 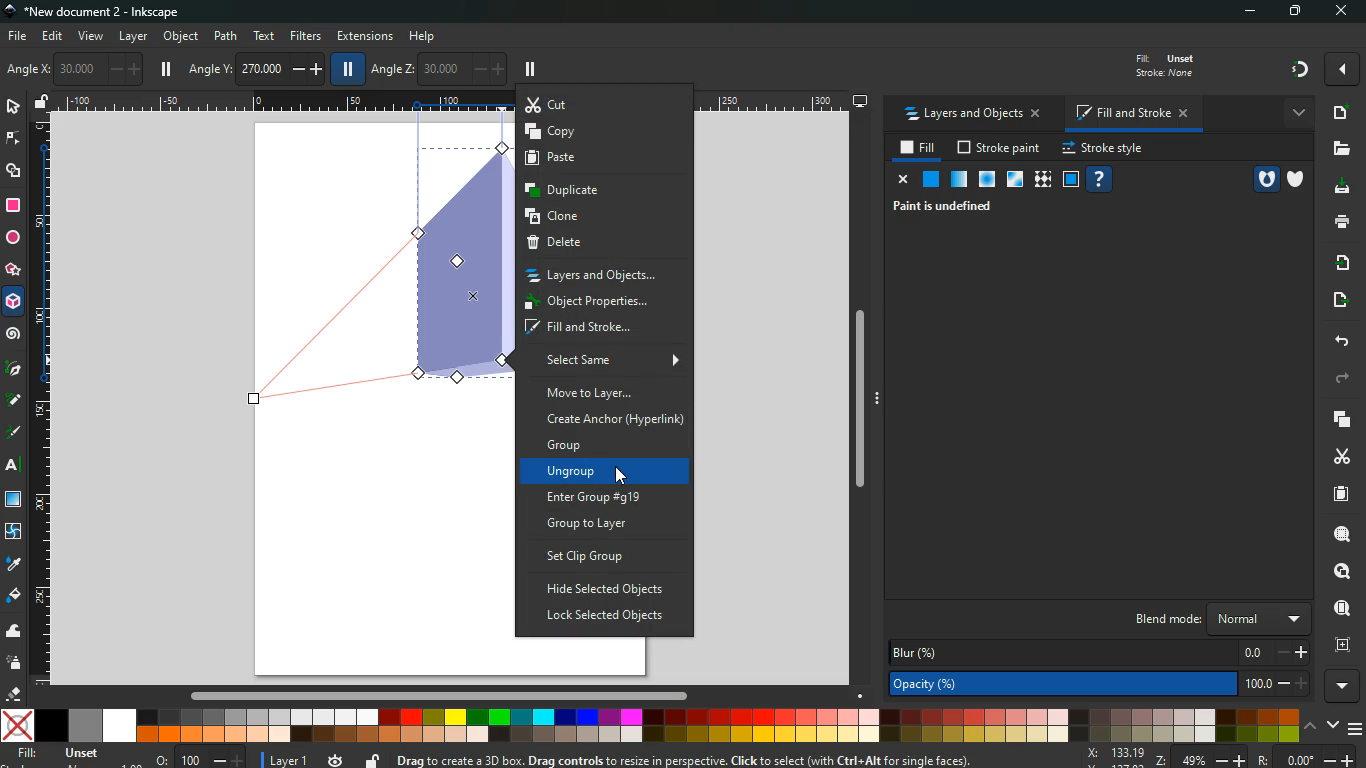 What do you see at coordinates (651, 725) in the screenshot?
I see `color` at bounding box center [651, 725].